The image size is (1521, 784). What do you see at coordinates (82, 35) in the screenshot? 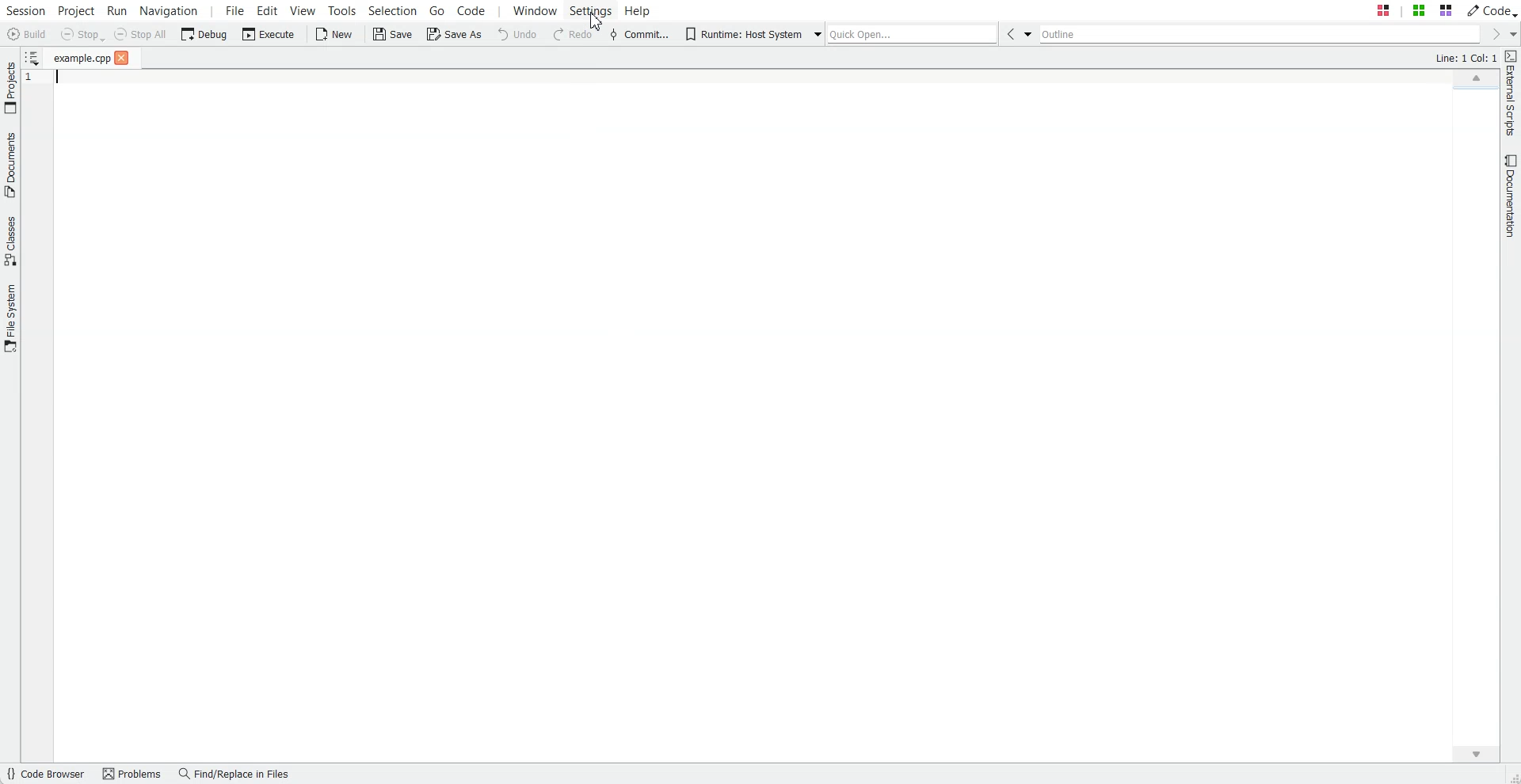
I see `Stop` at bounding box center [82, 35].